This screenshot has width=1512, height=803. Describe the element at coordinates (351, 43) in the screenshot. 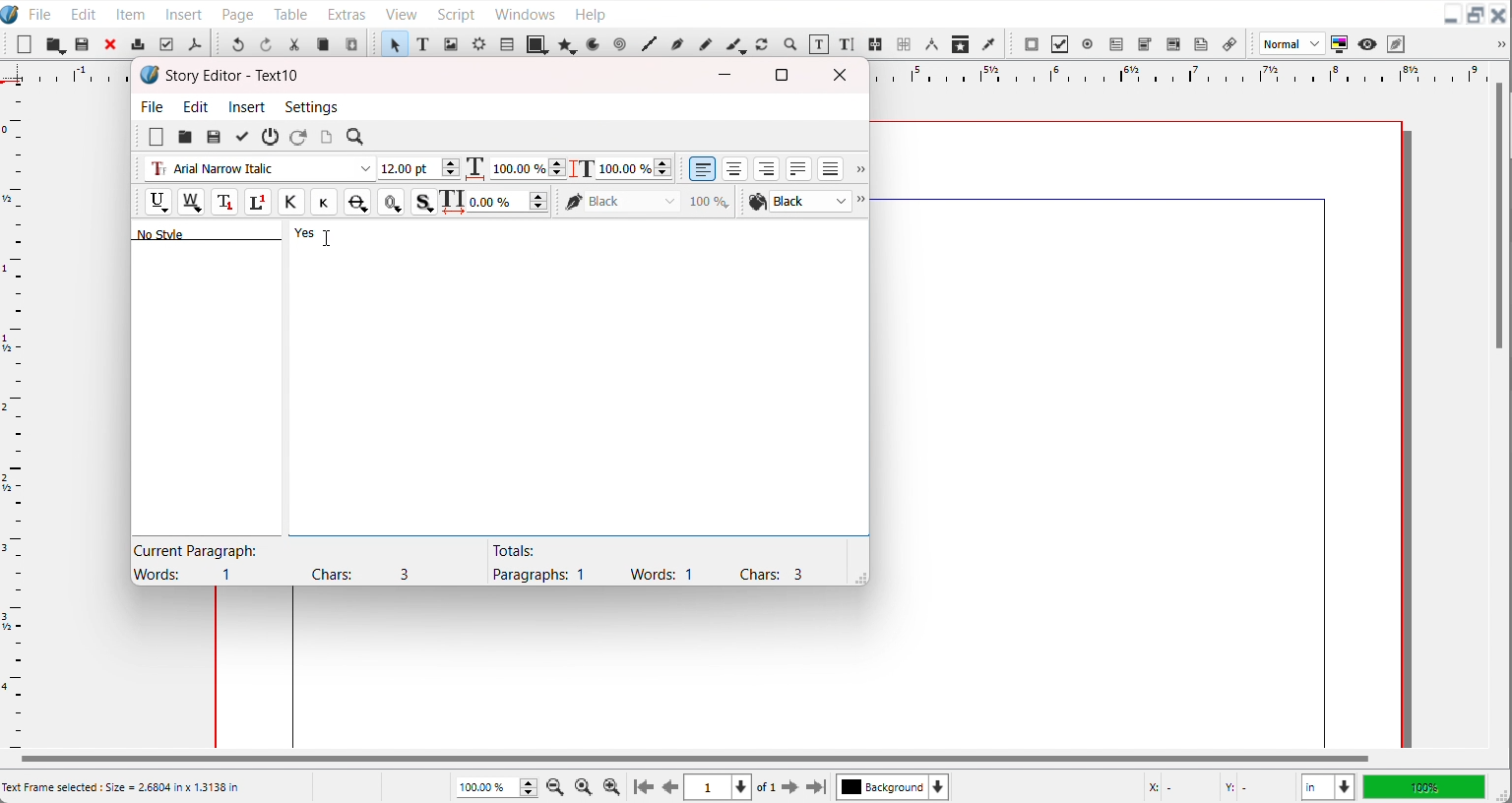

I see `Paste` at that location.